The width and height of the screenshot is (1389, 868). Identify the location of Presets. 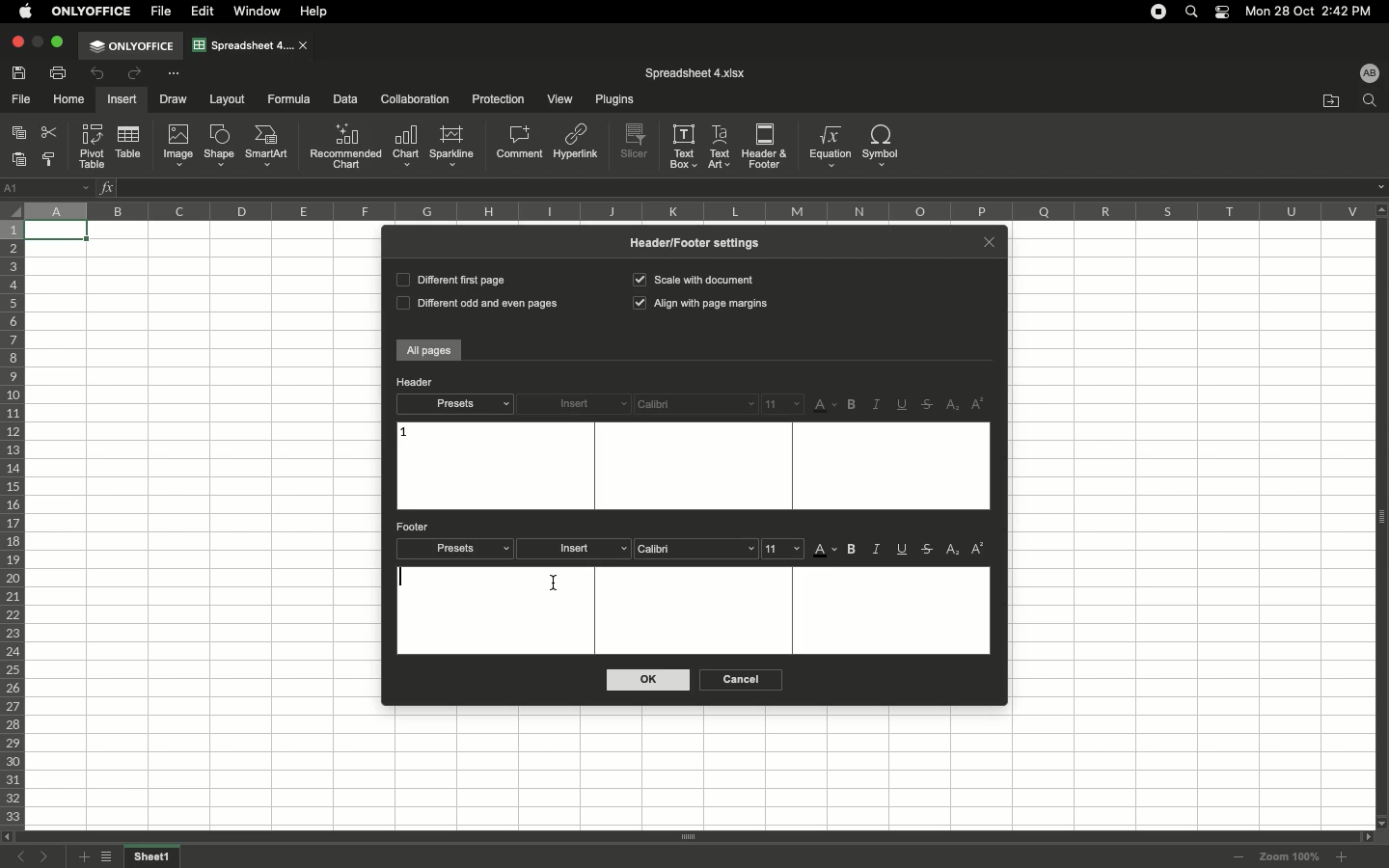
(456, 549).